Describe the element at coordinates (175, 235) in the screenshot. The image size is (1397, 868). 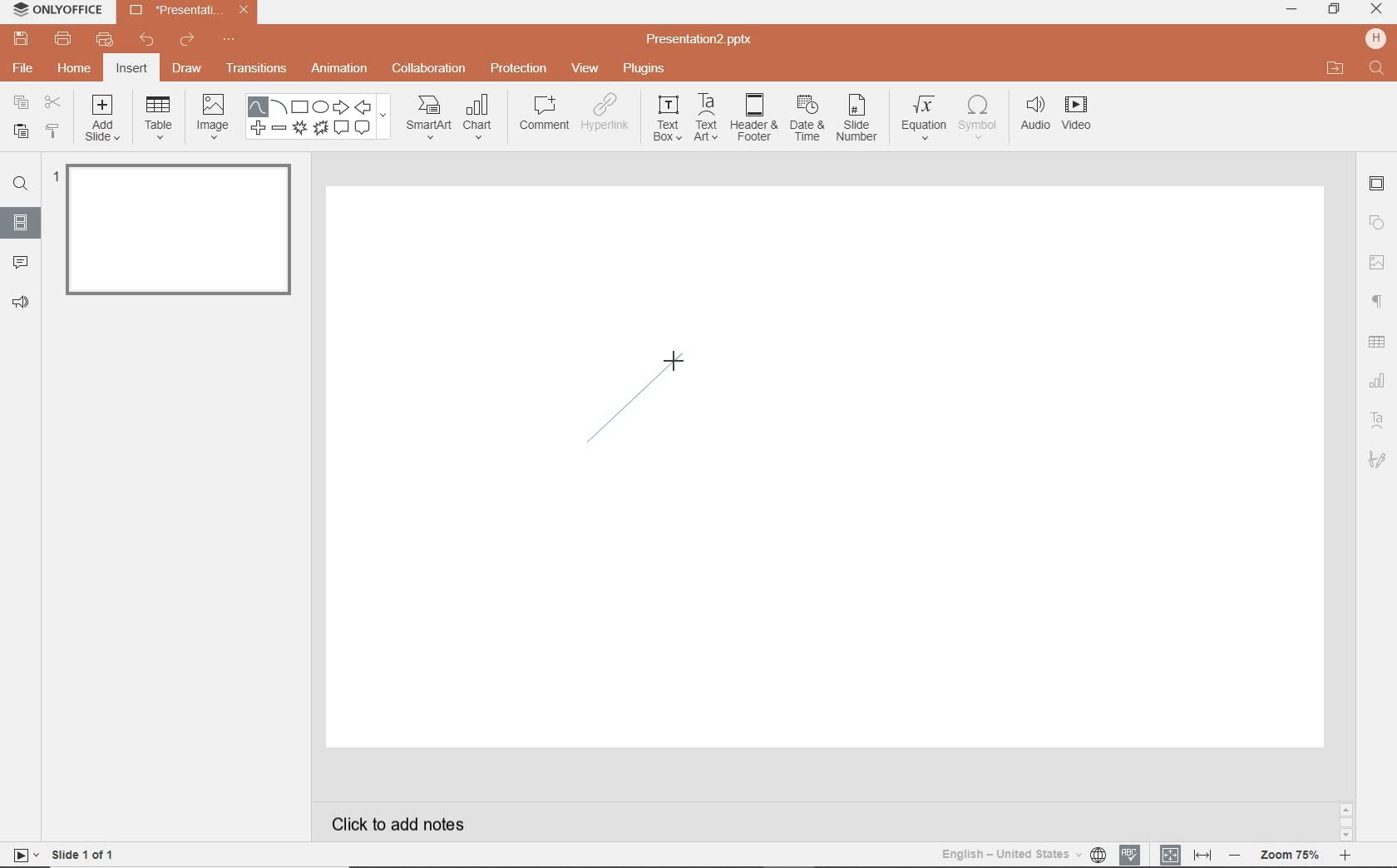
I see `SLIDE1` at that location.